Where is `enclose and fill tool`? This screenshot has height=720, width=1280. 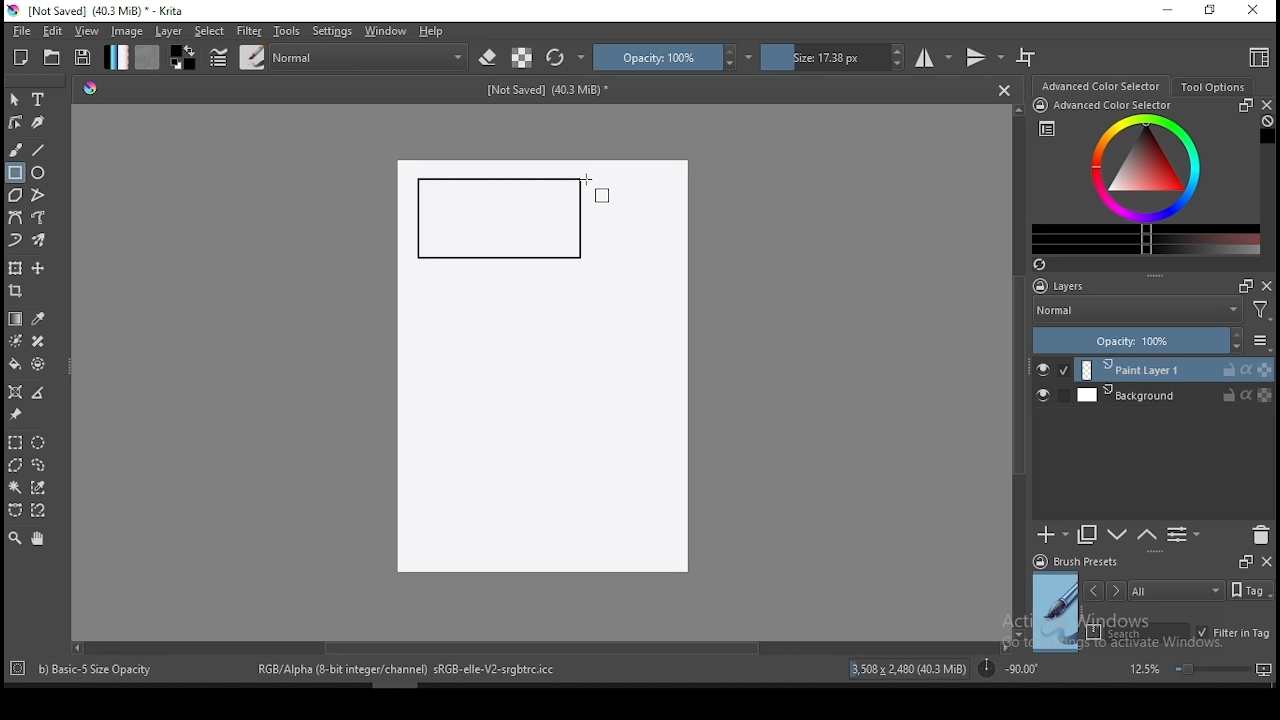
enclose and fill tool is located at coordinates (38, 364).